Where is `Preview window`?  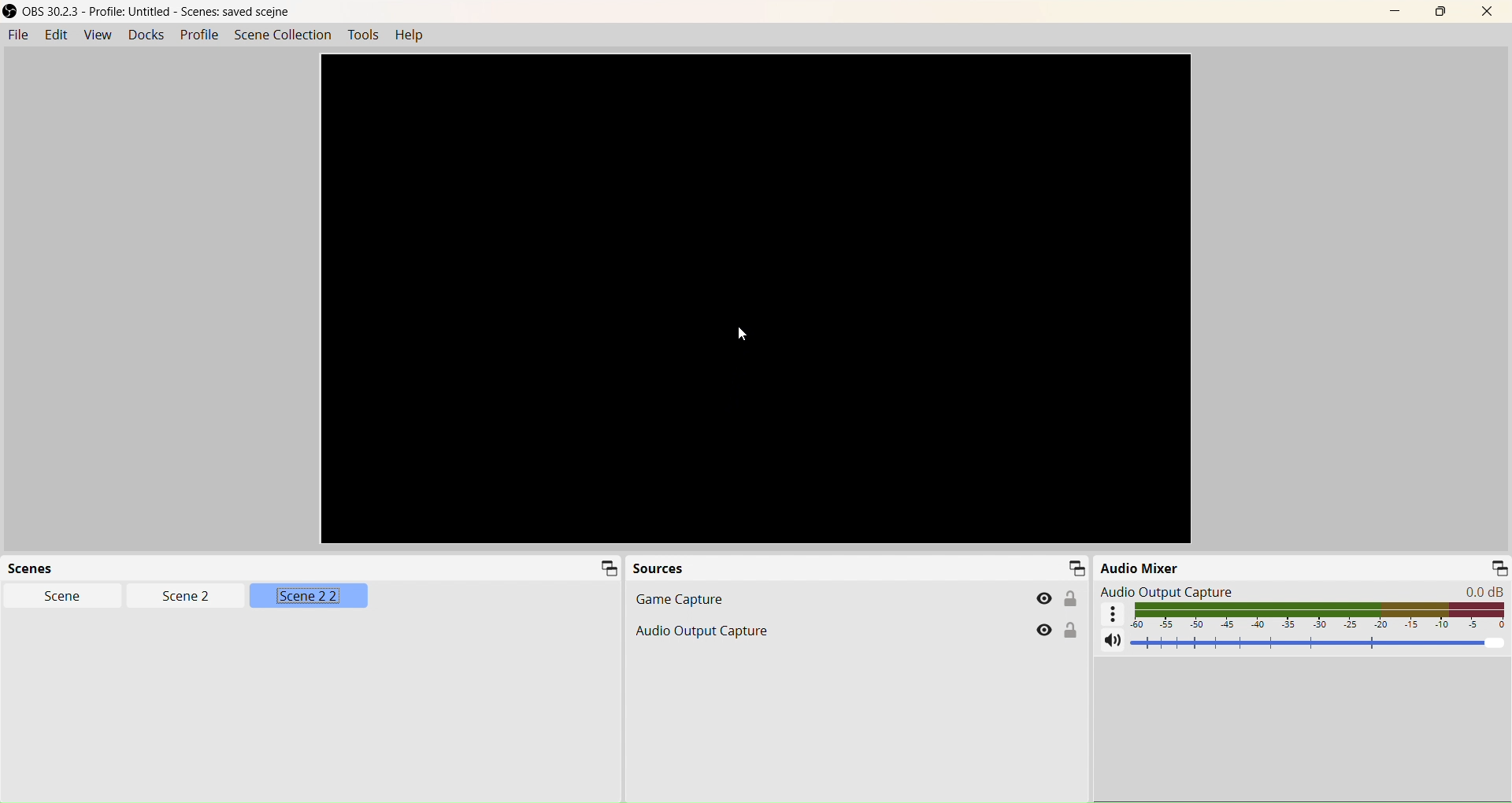 Preview window is located at coordinates (756, 298).